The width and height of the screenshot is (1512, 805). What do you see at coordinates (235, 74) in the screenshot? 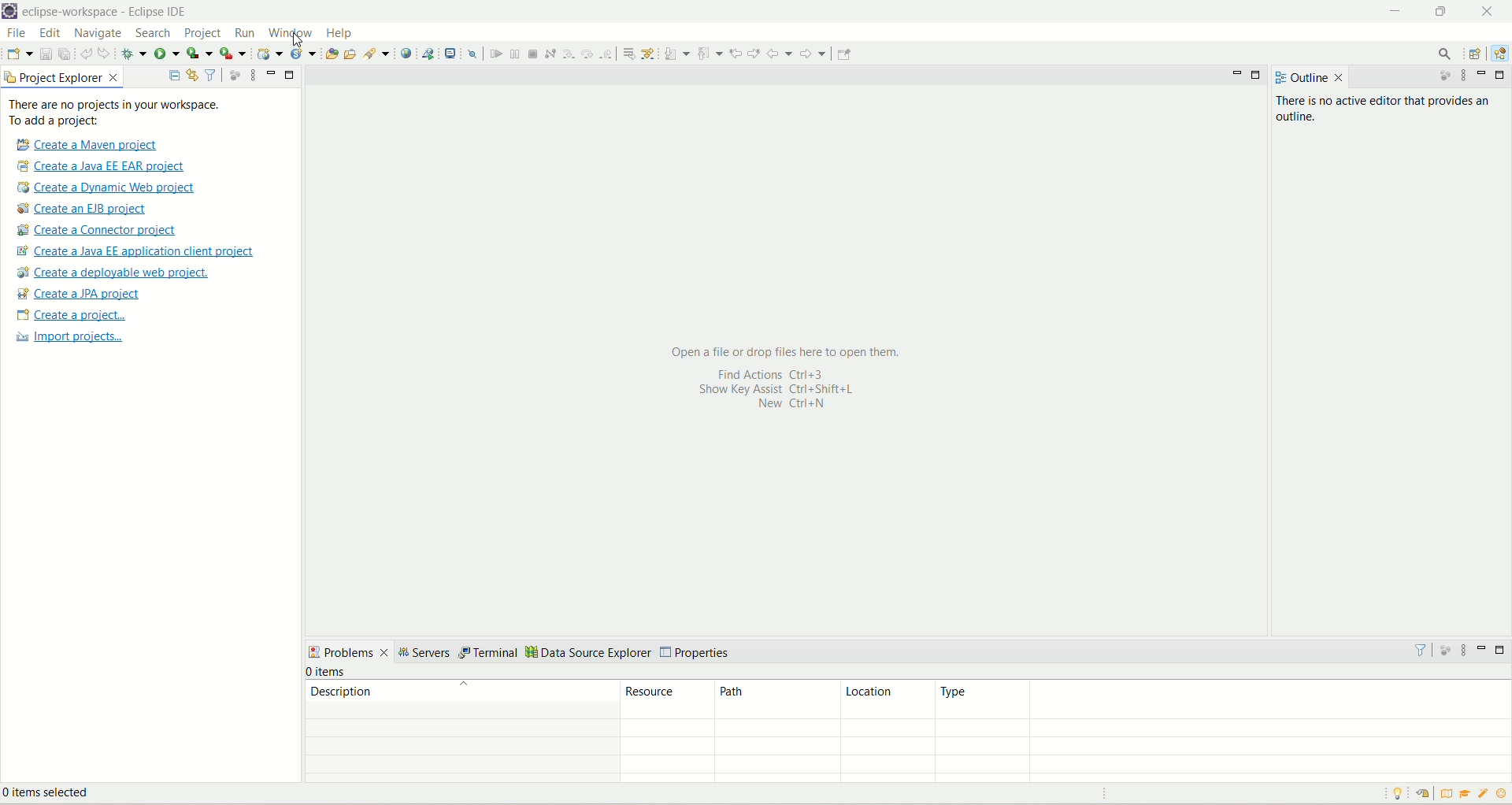
I see `focus on active task` at bounding box center [235, 74].